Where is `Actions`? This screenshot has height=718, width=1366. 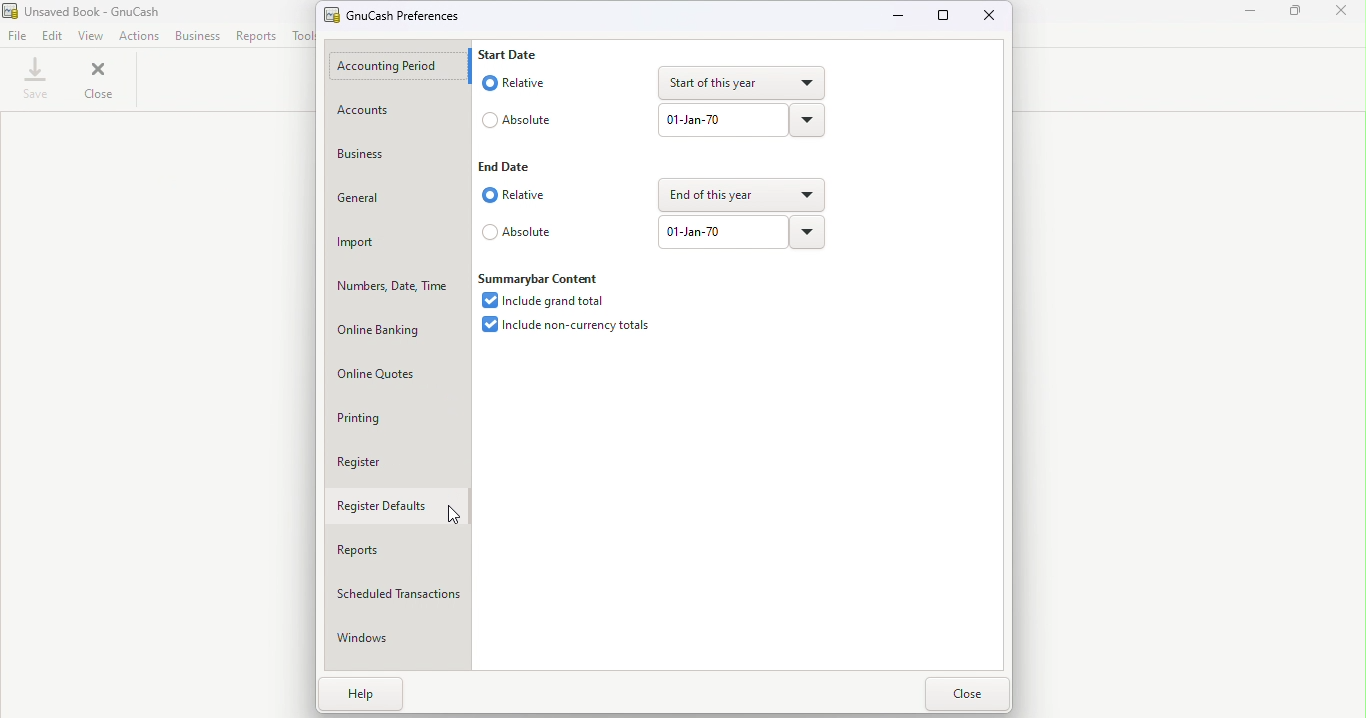
Actions is located at coordinates (139, 38).